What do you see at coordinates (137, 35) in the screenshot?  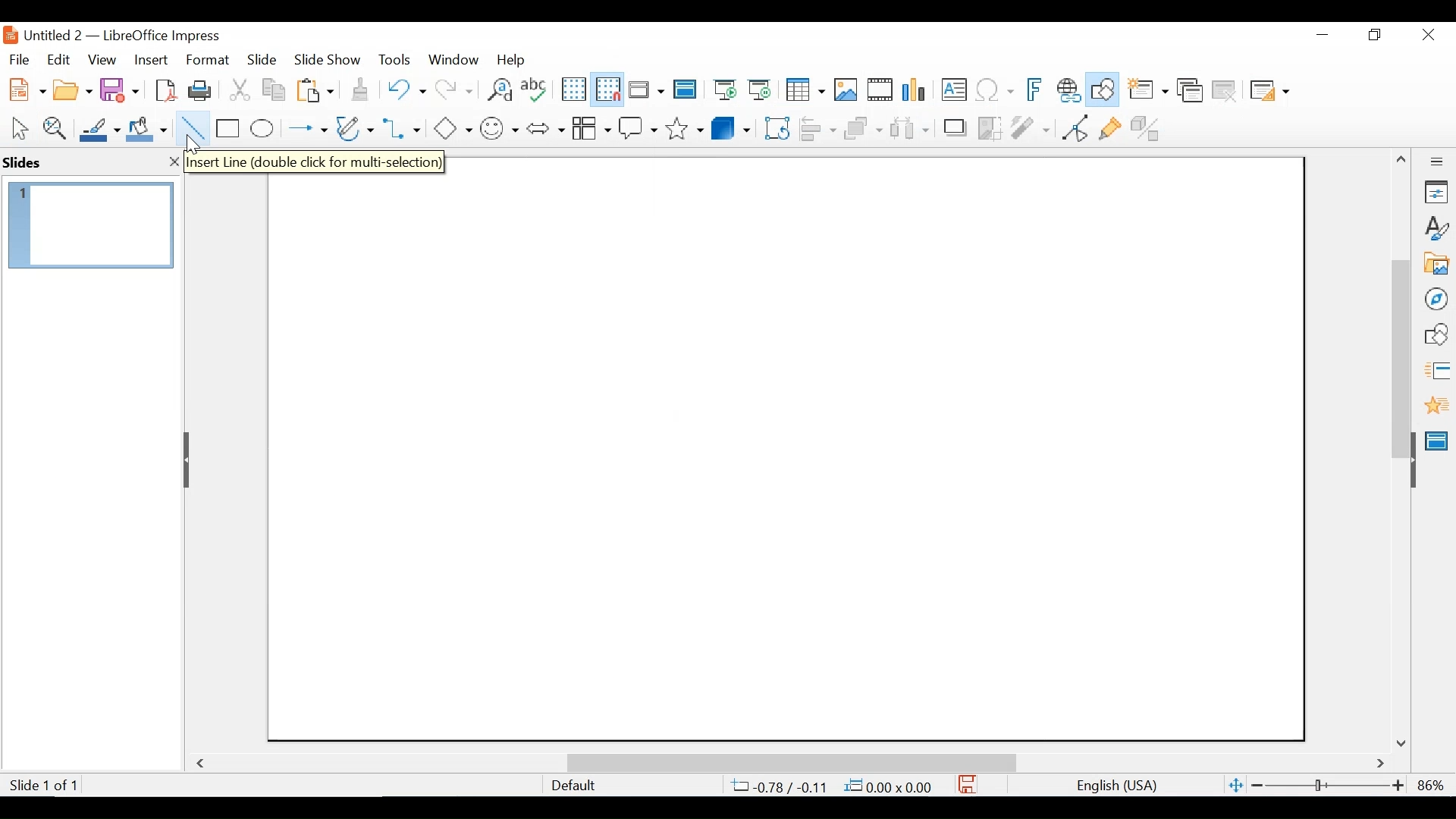 I see `Untitled 2 - LibreOffice Impress` at bounding box center [137, 35].